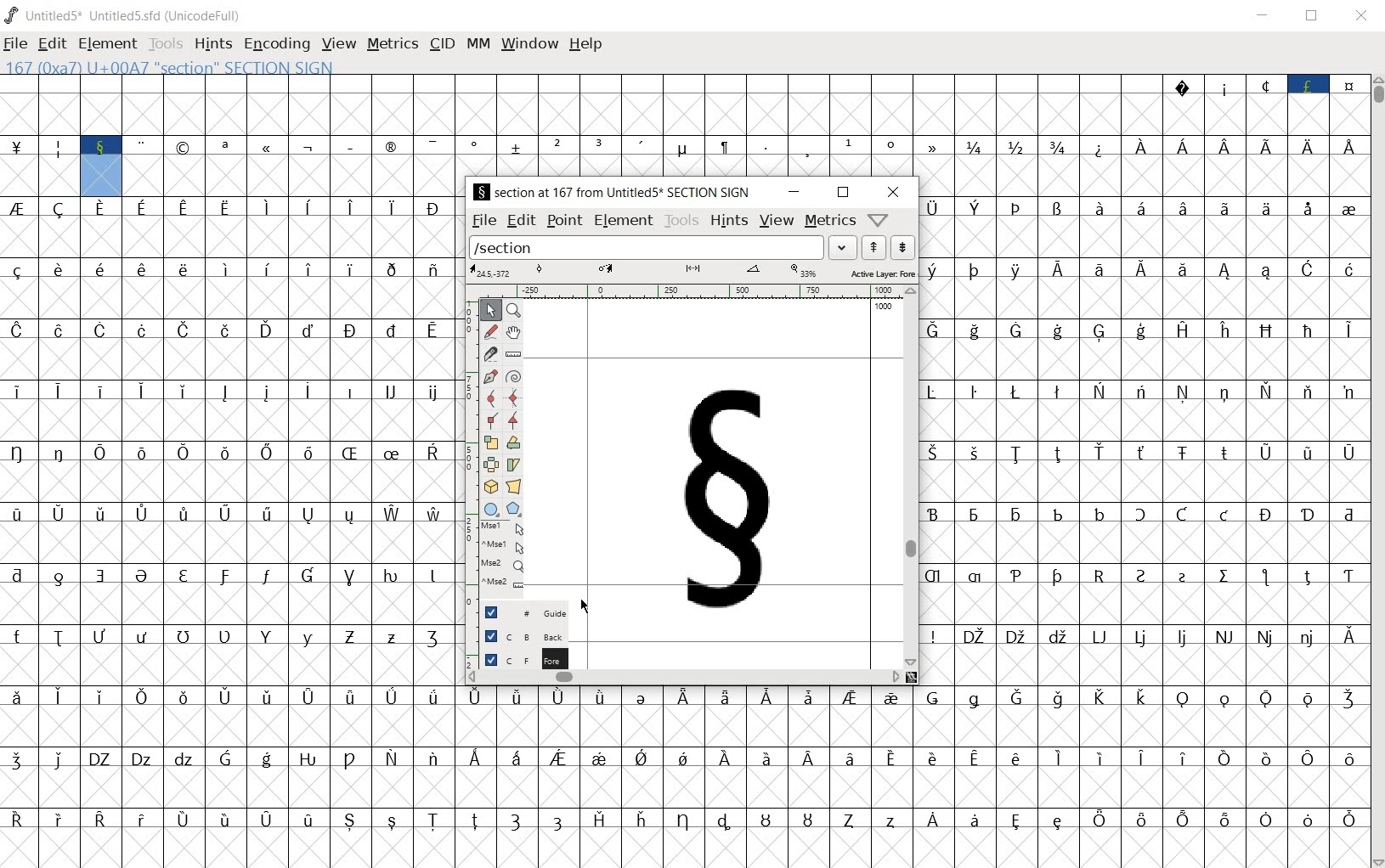  What do you see at coordinates (684, 697) in the screenshot?
I see `special letters` at bounding box center [684, 697].